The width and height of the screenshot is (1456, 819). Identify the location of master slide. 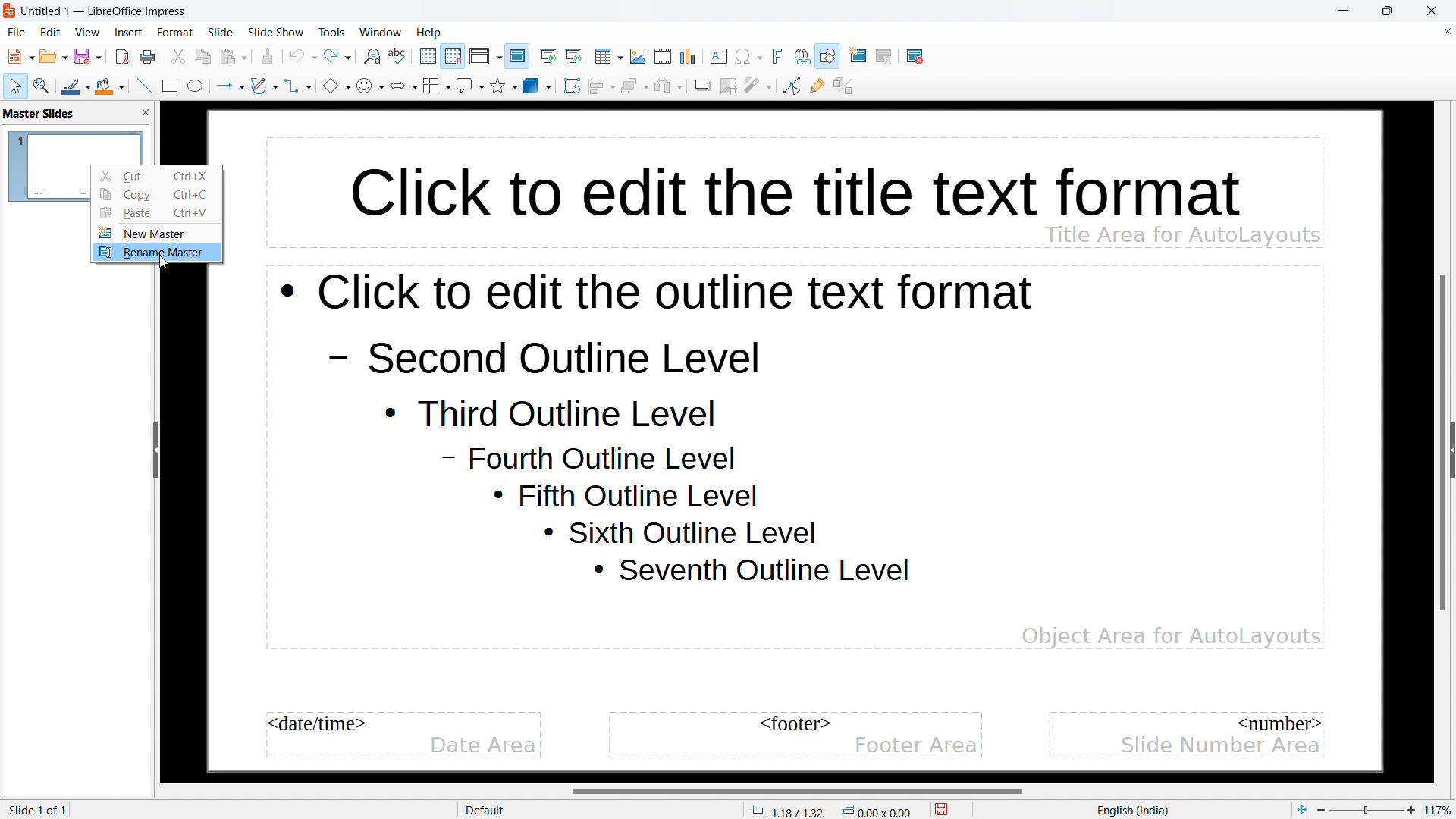
(518, 56).